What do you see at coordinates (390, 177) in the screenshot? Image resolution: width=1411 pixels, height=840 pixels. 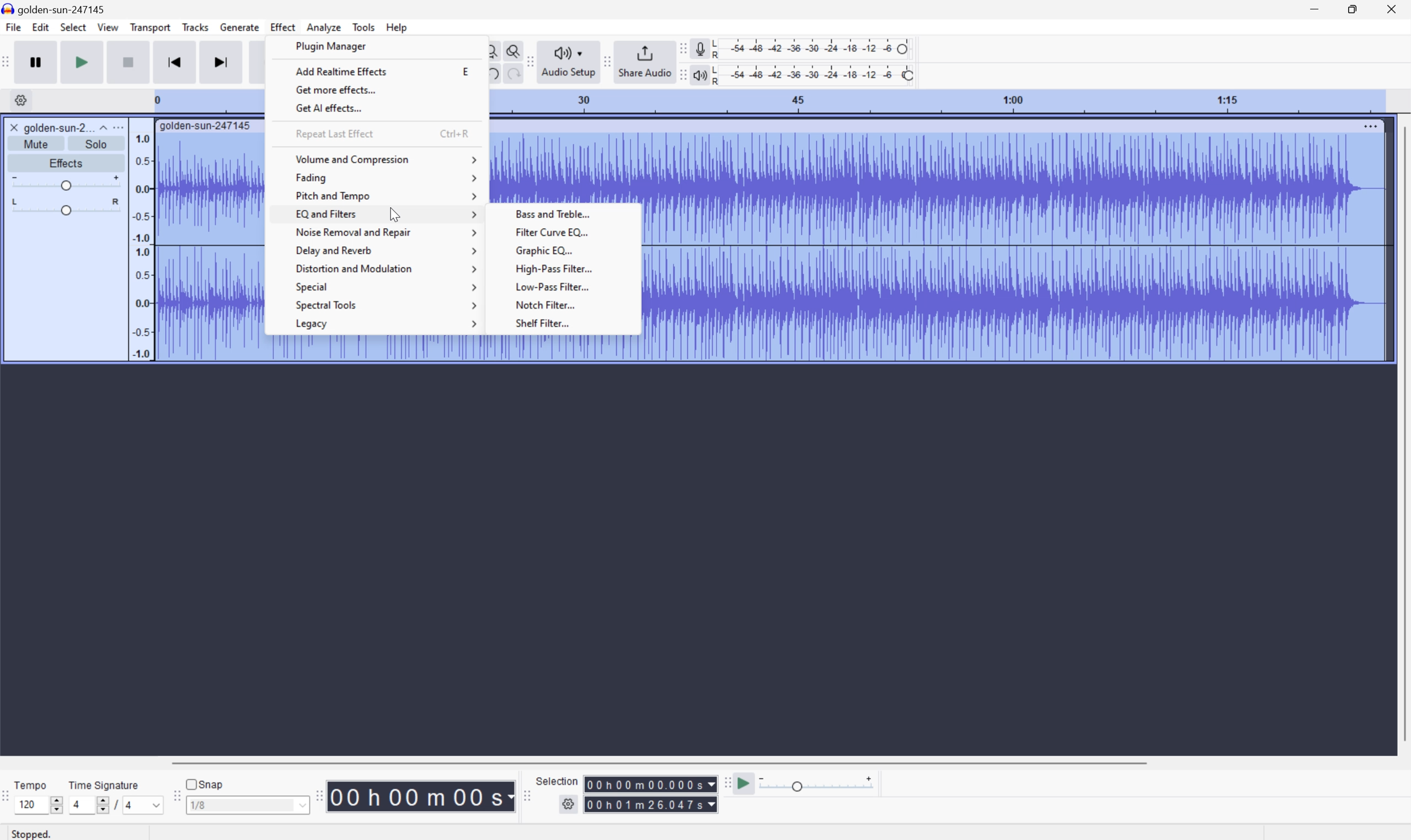 I see `Fading` at bounding box center [390, 177].